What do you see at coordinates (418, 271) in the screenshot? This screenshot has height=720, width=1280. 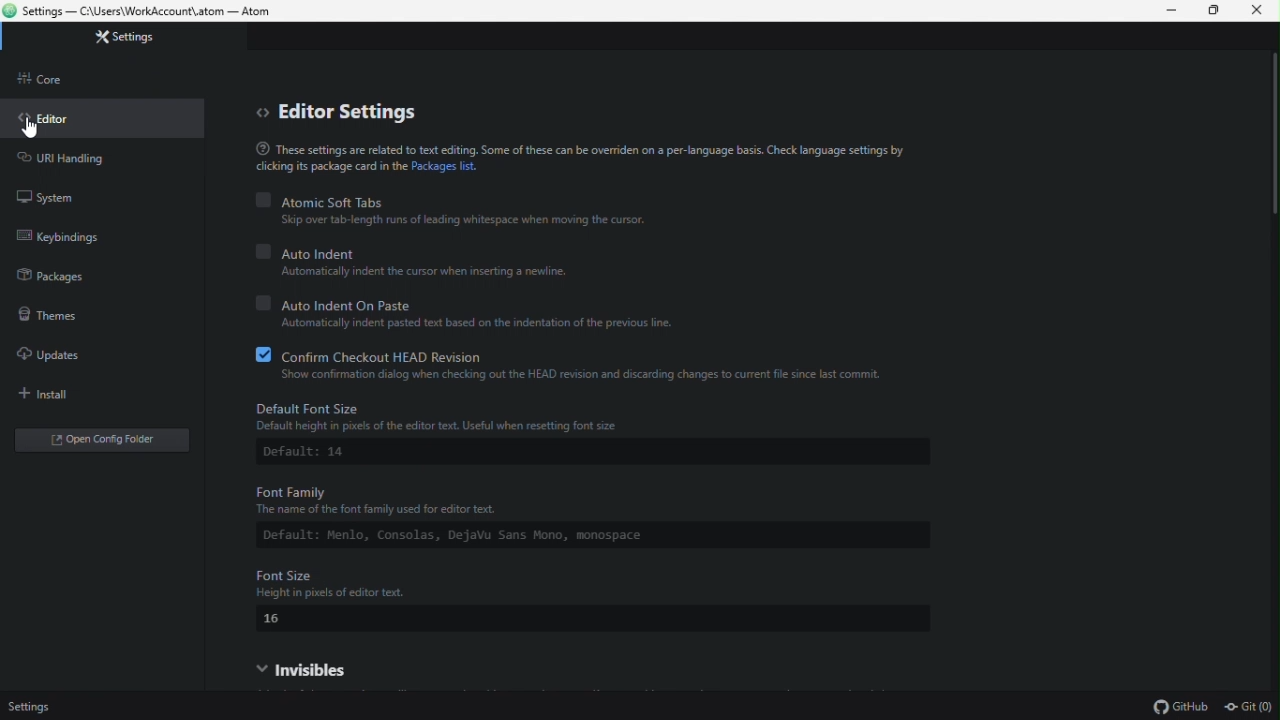 I see `Automatically indent the cursor when inserting a newline.` at bounding box center [418, 271].